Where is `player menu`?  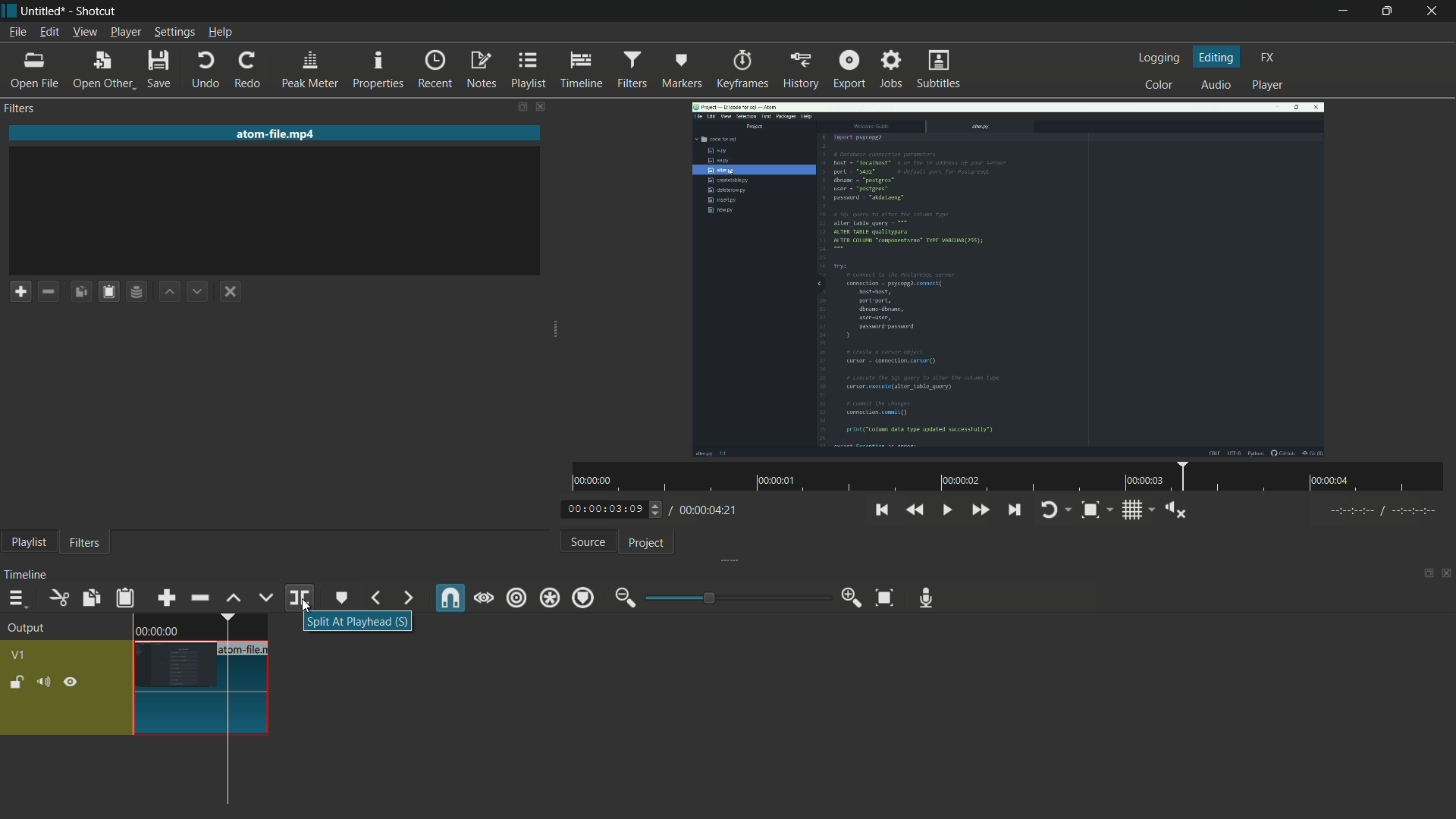
player menu is located at coordinates (127, 33).